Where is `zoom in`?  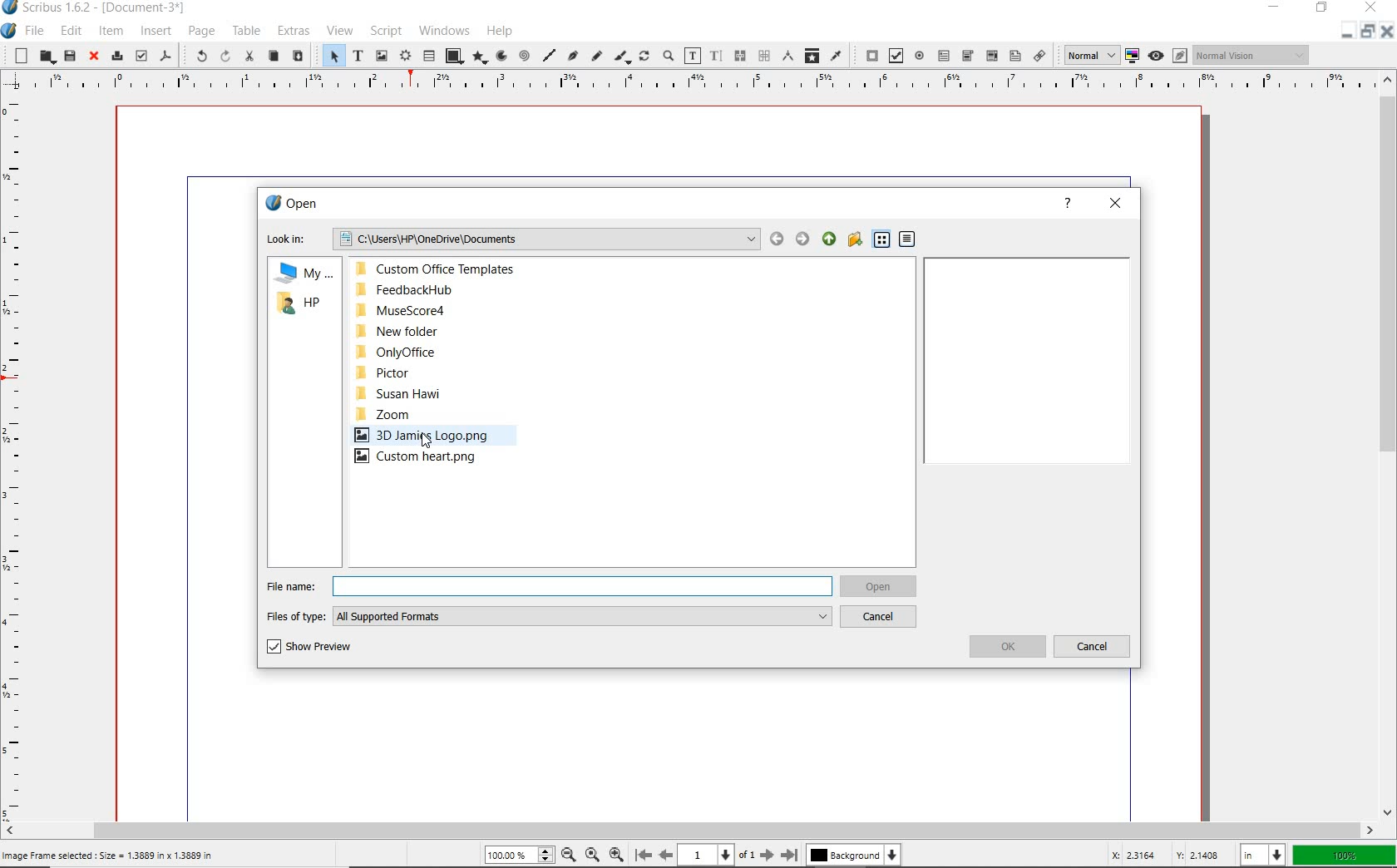
zoom in is located at coordinates (617, 856).